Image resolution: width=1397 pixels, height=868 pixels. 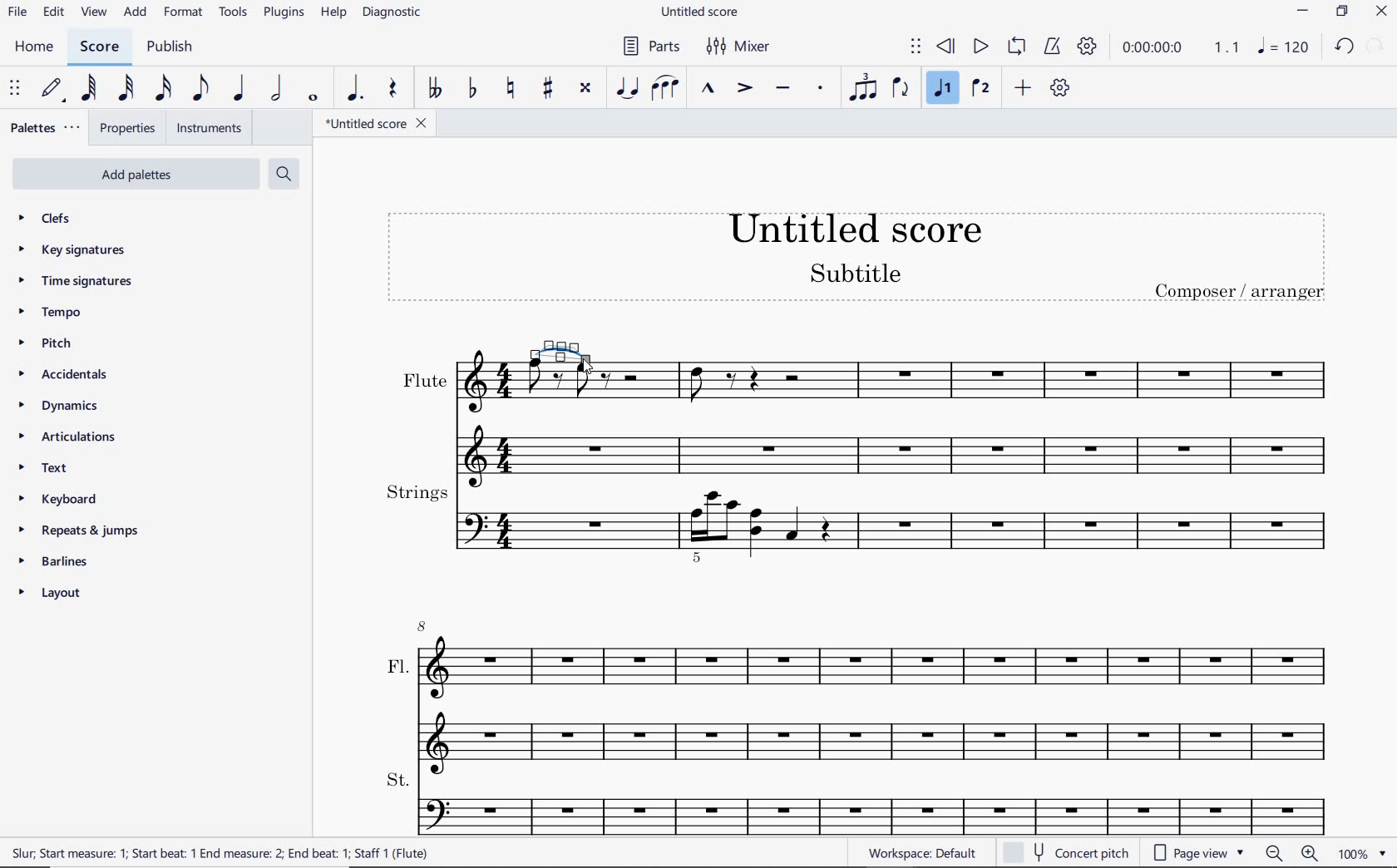 I want to click on SCORE, so click(x=106, y=46).